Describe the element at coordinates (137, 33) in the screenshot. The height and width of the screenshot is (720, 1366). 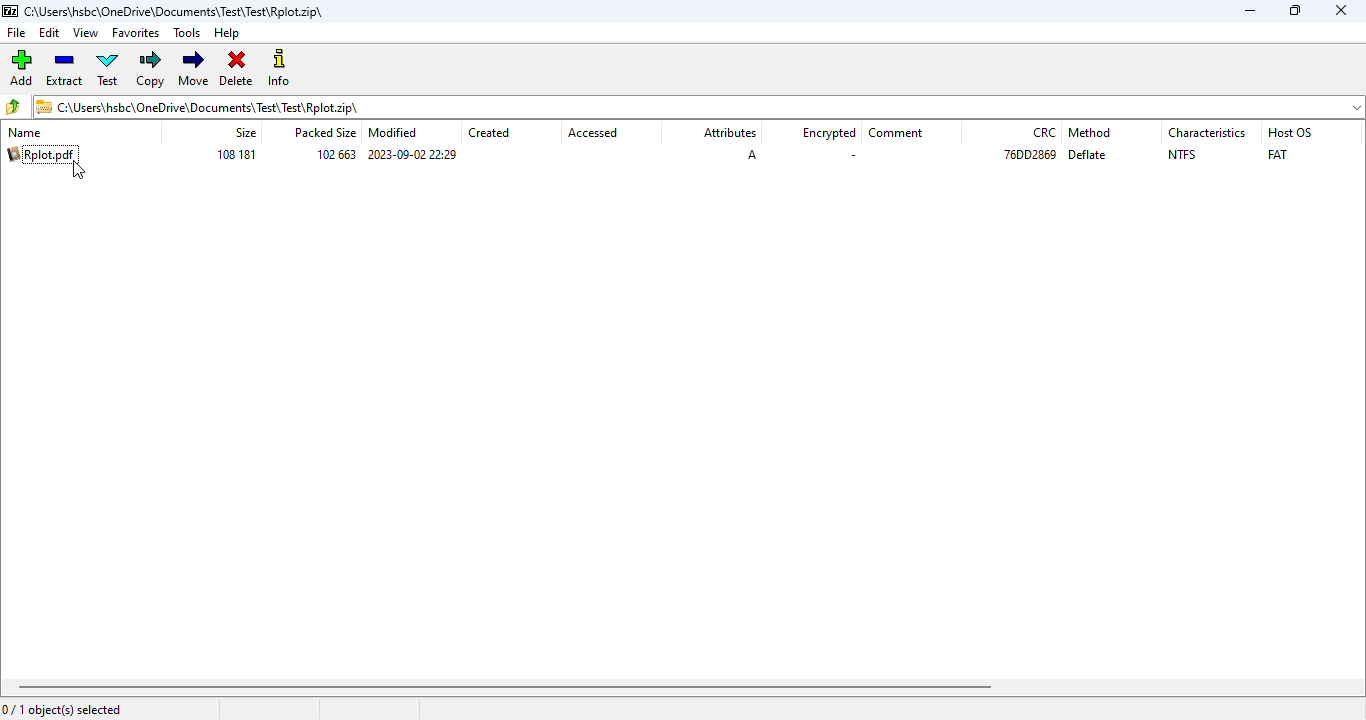
I see `favorites` at that location.